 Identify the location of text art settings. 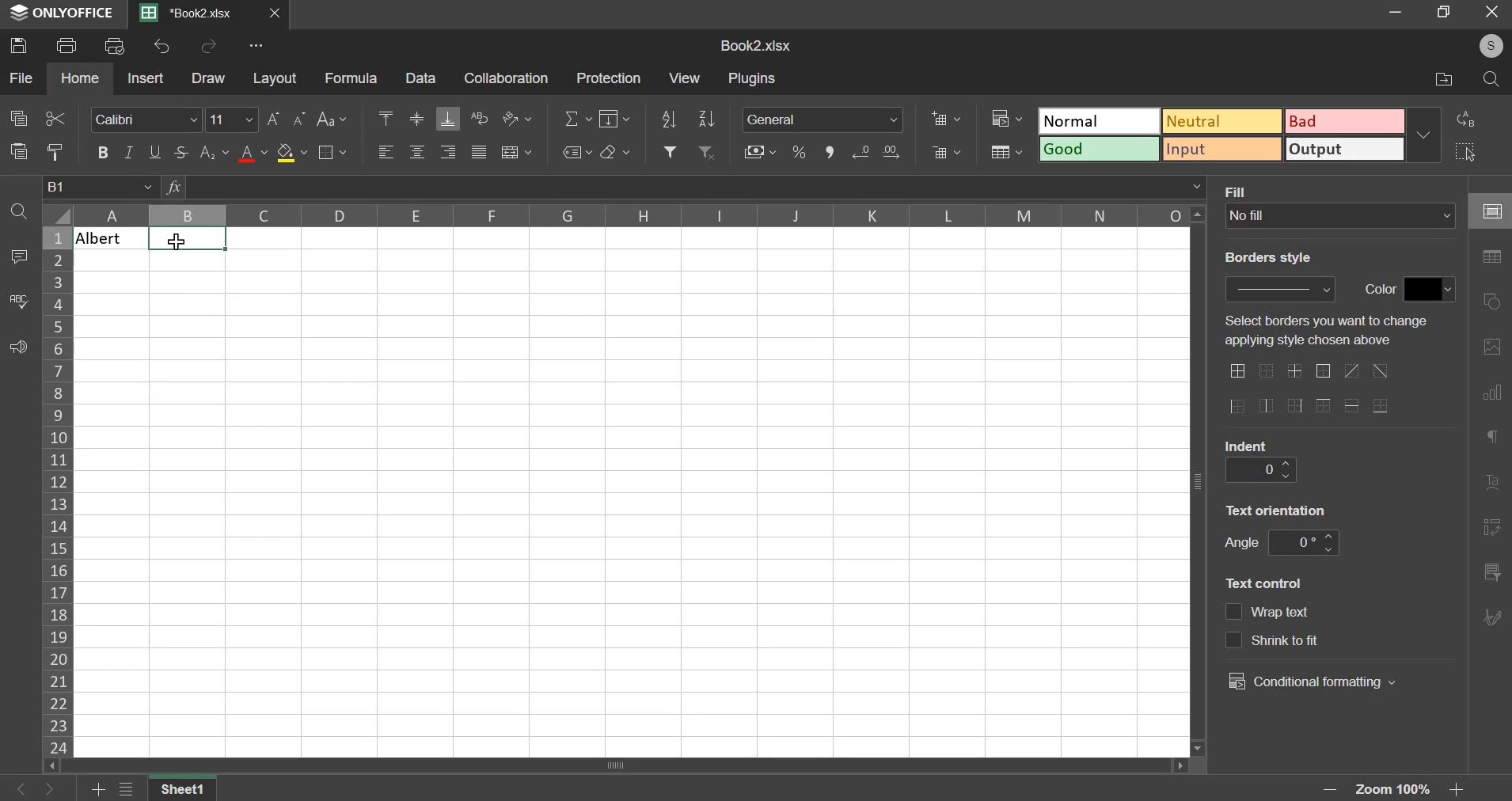
(1495, 480).